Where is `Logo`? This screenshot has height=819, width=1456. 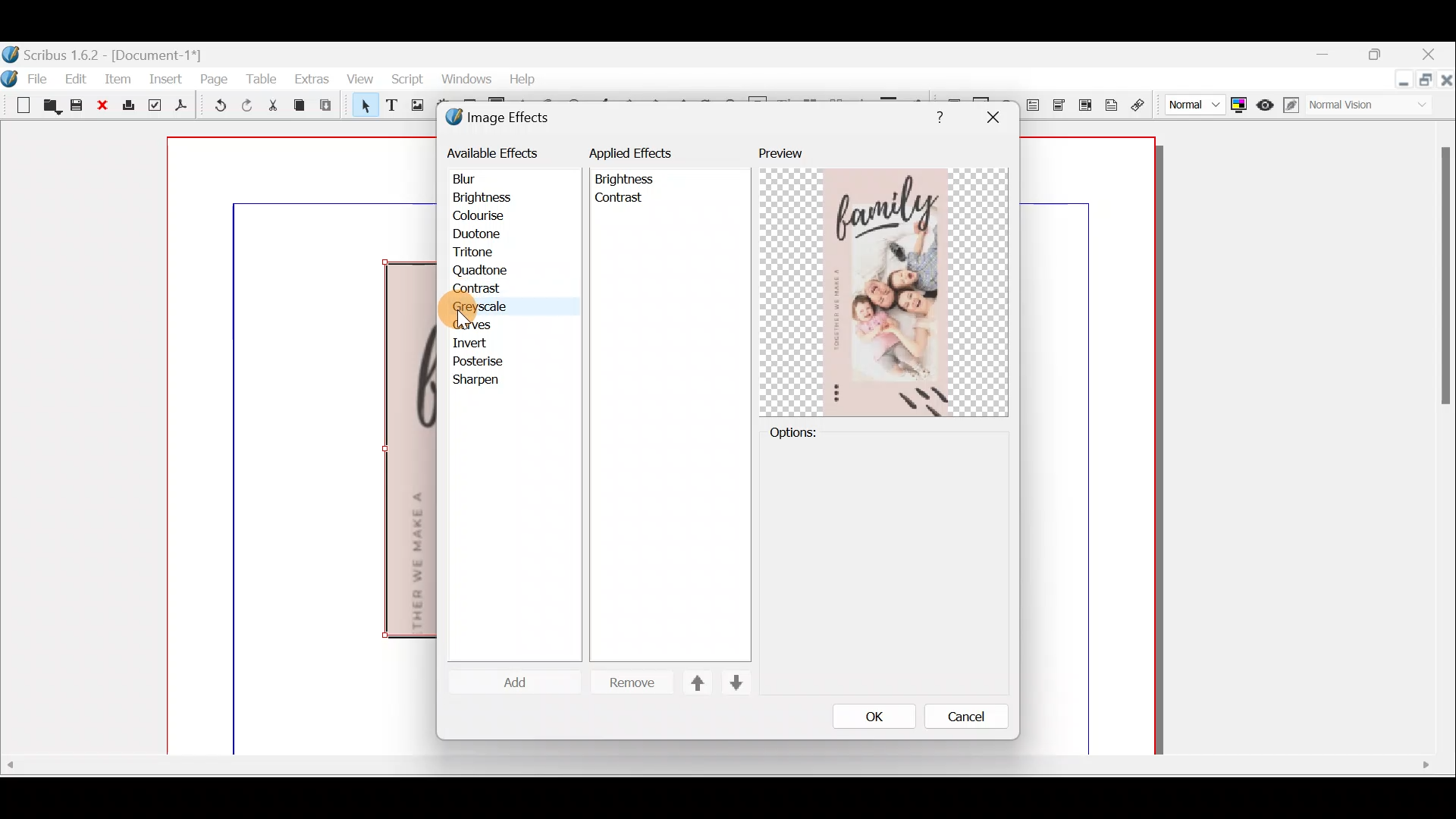 Logo is located at coordinates (12, 78).